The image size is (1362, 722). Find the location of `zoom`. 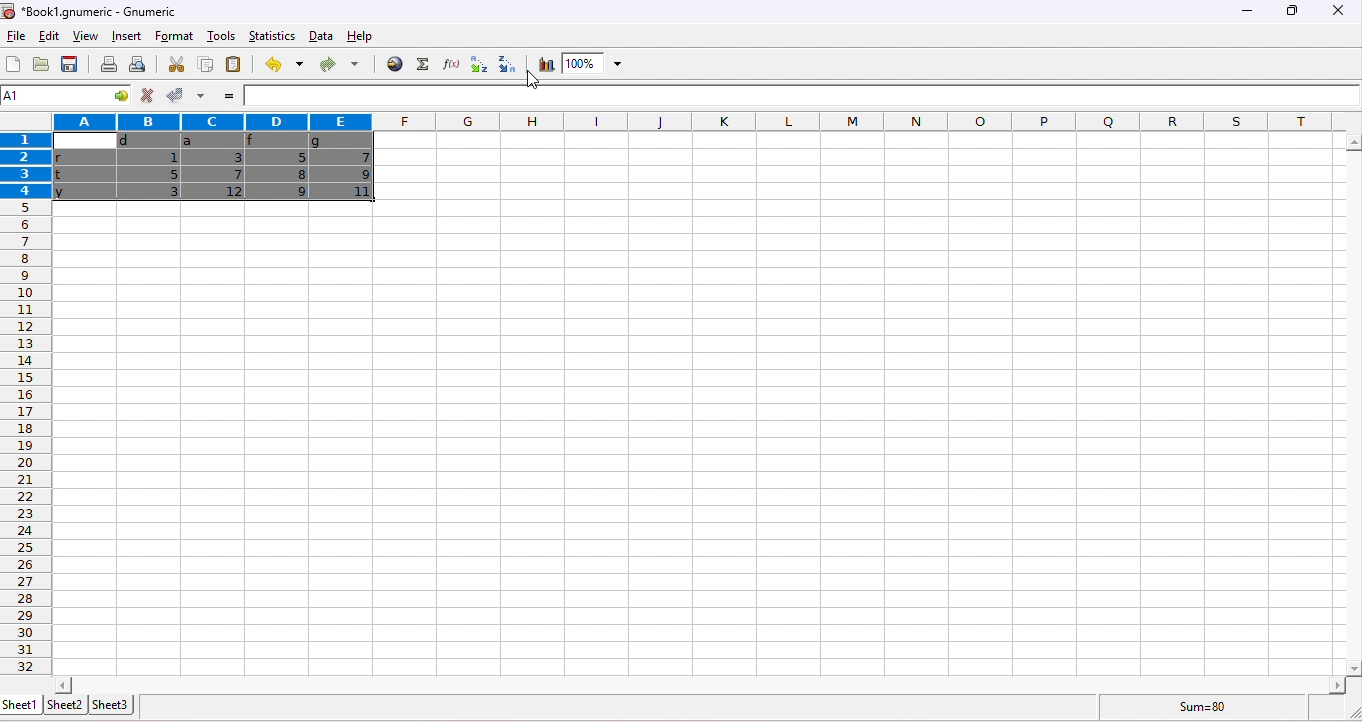

zoom is located at coordinates (592, 63).